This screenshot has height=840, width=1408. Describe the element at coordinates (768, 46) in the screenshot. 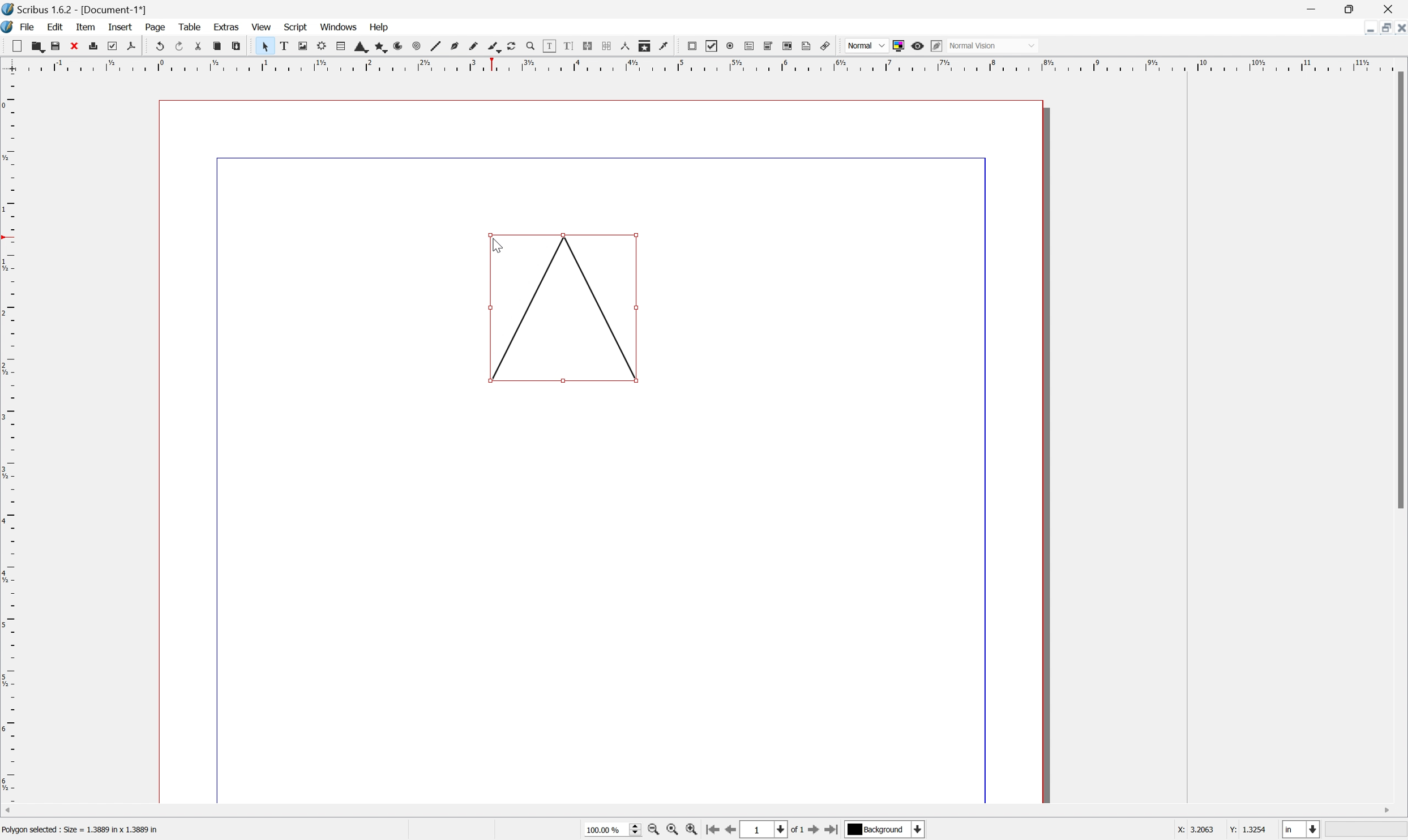

I see `PDF combo box` at that location.